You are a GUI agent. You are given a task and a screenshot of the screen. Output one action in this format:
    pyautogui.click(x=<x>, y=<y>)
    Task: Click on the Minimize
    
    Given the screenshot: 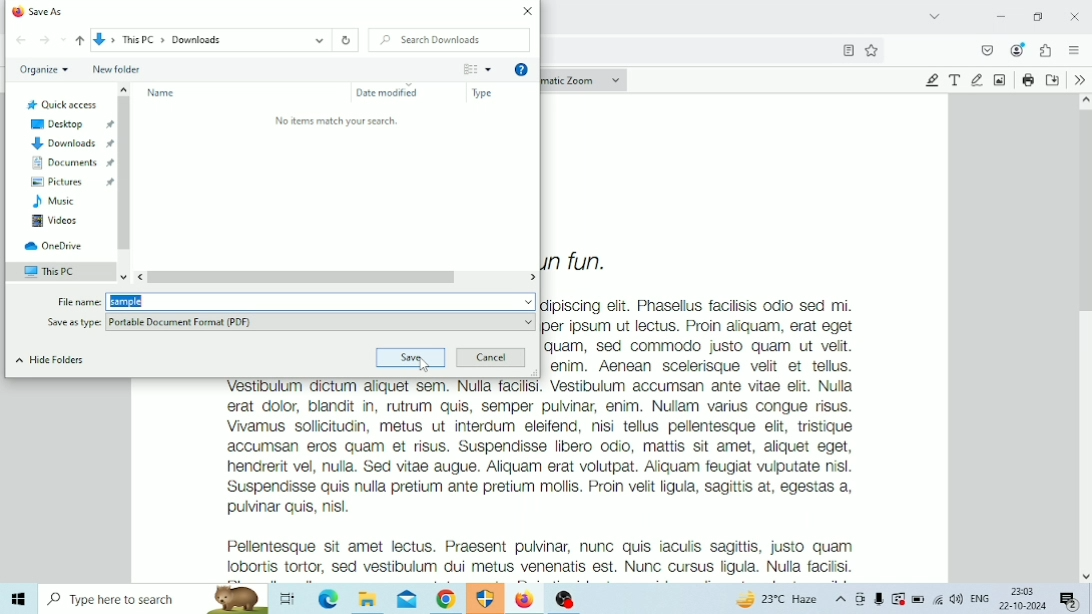 What is the action you would take?
    pyautogui.click(x=1001, y=17)
    